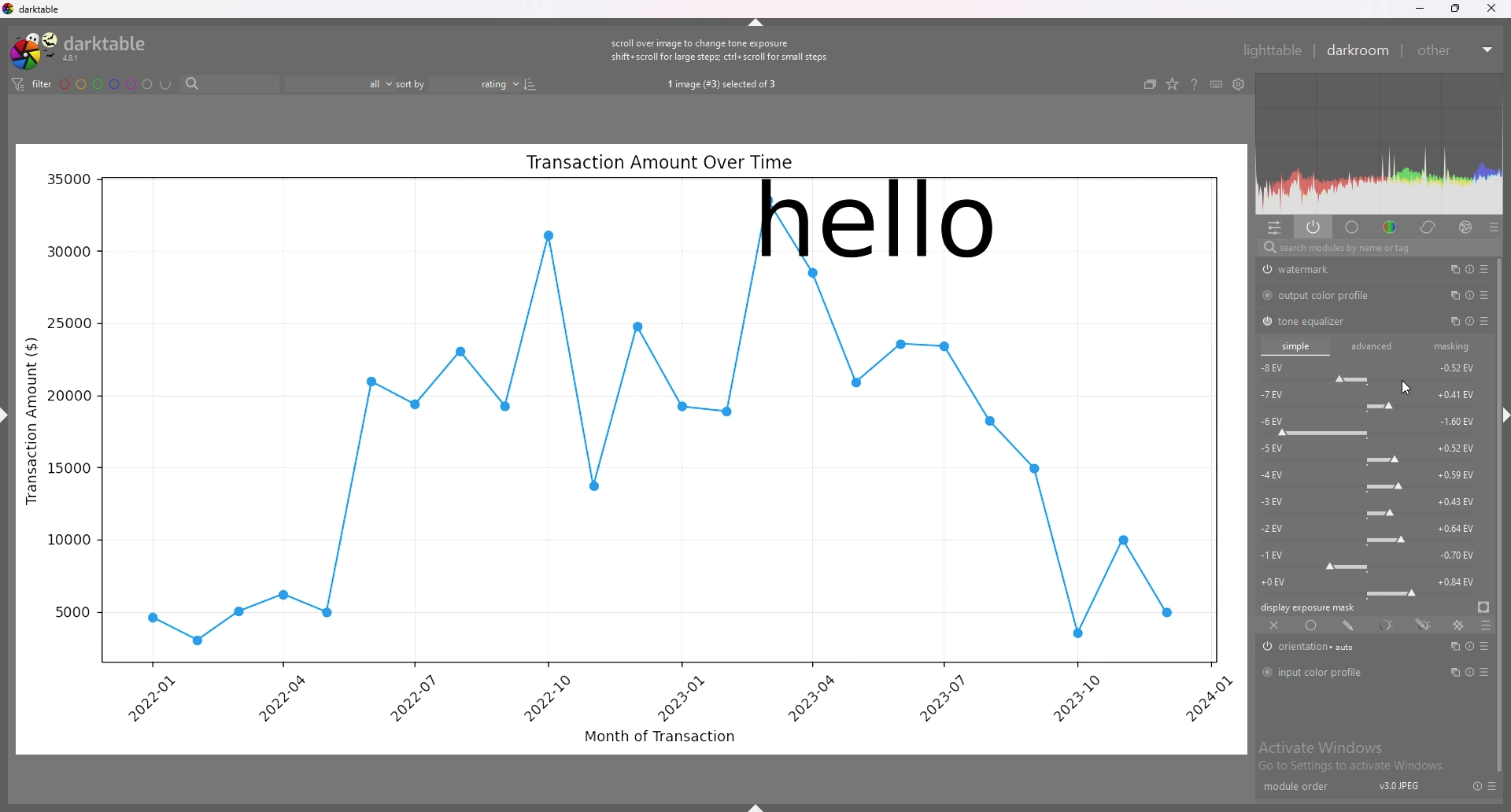 Image resolution: width=1511 pixels, height=812 pixels. Describe the element at coordinates (1377, 248) in the screenshot. I see `search modules` at that location.